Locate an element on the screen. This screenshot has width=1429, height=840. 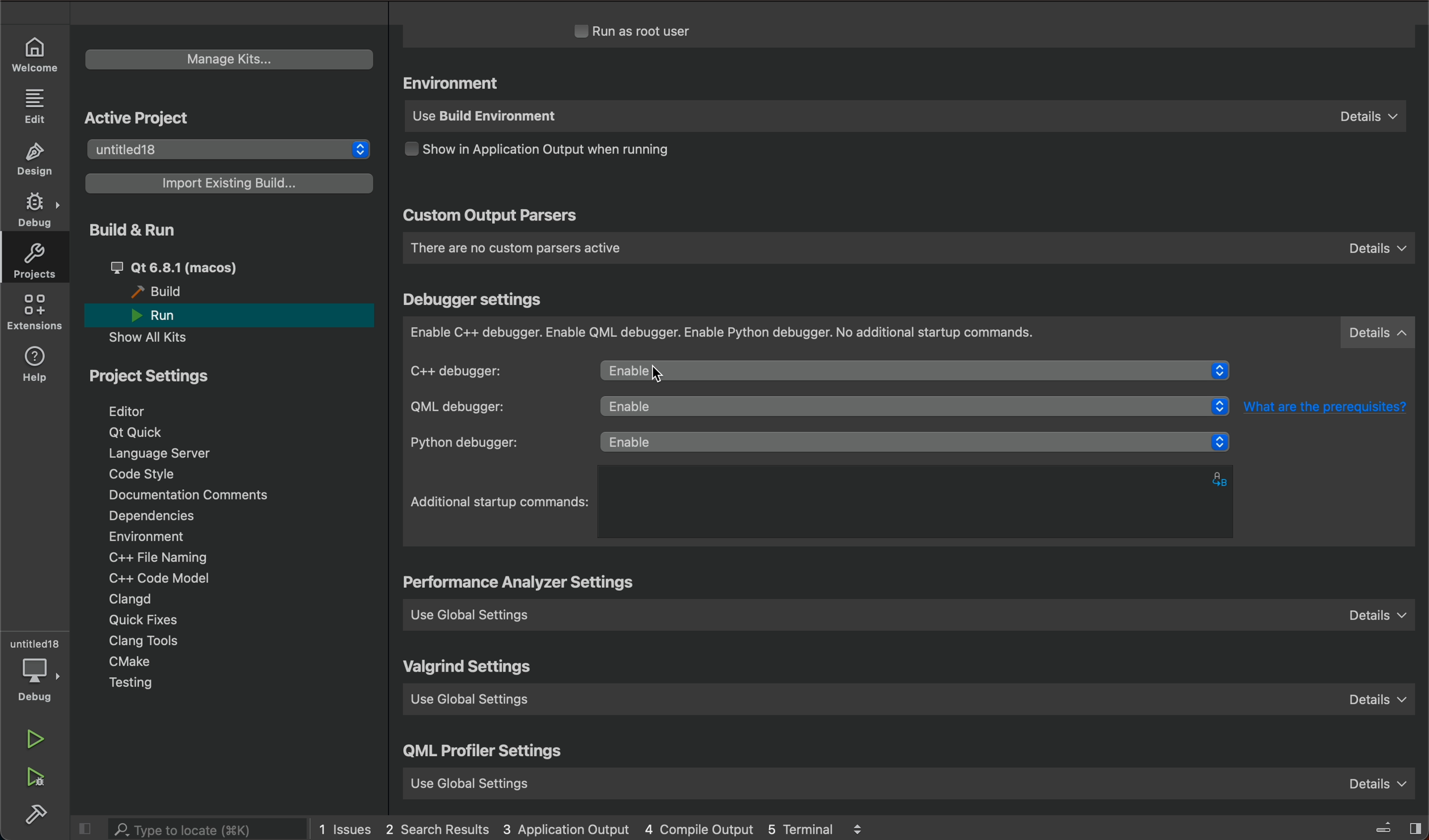
debugger is located at coordinates (910, 333).